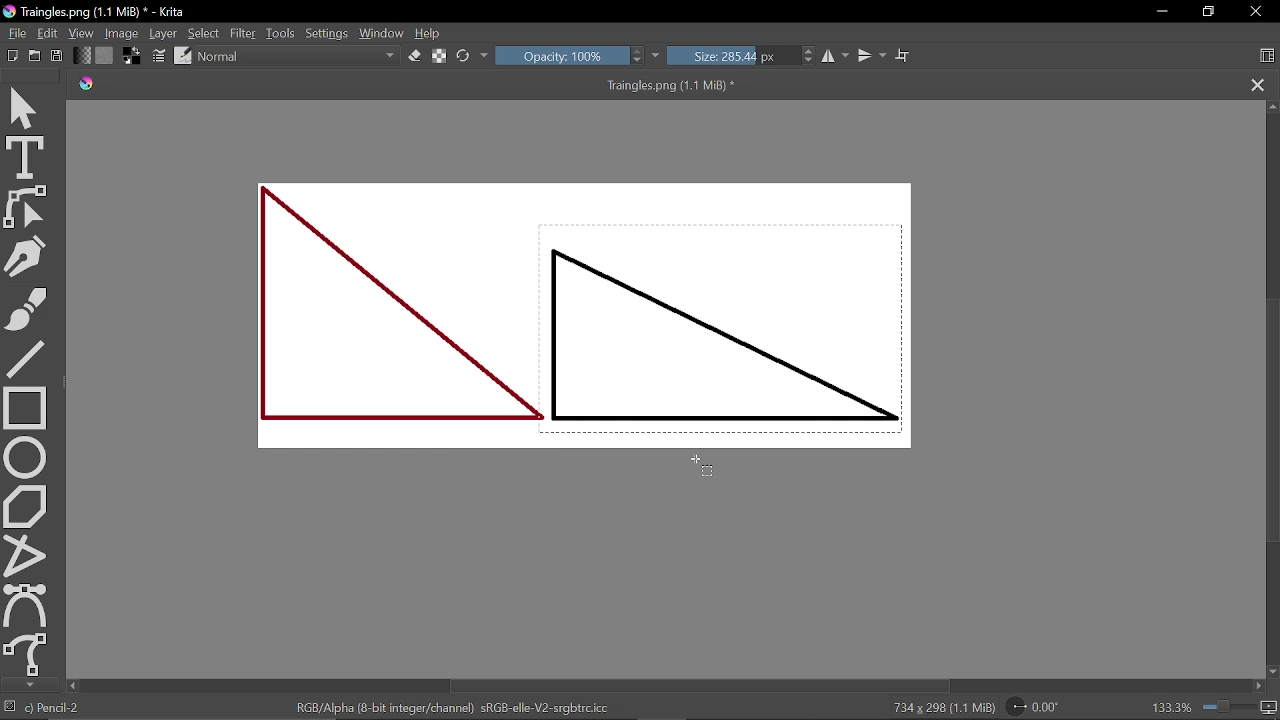 The image size is (1280, 720). What do you see at coordinates (932, 706) in the screenshot?
I see `734 x 298 (1.1 MiB)` at bounding box center [932, 706].